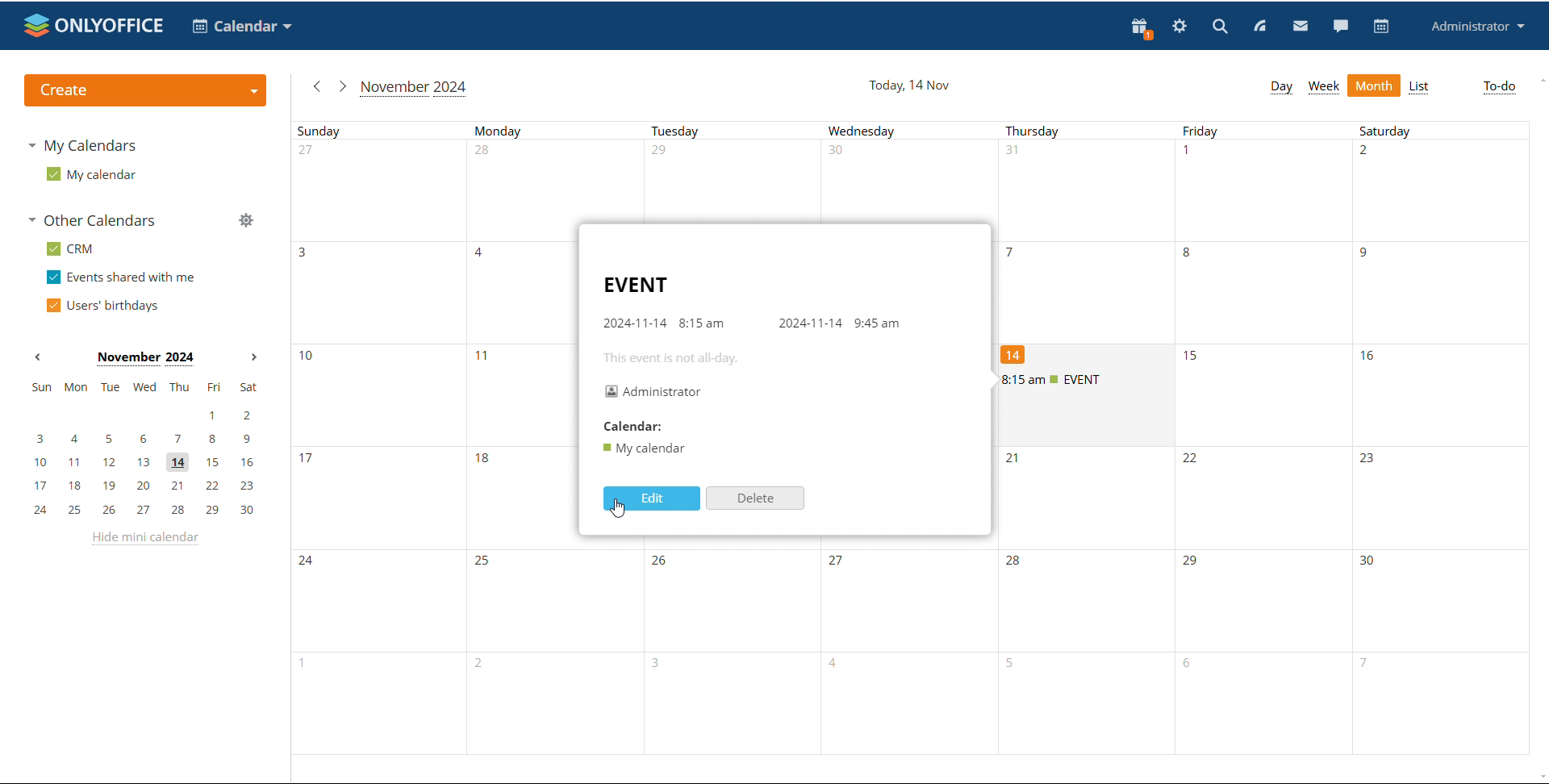  Describe the element at coordinates (1276, 188) in the screenshot. I see `30, 1, 2` at that location.